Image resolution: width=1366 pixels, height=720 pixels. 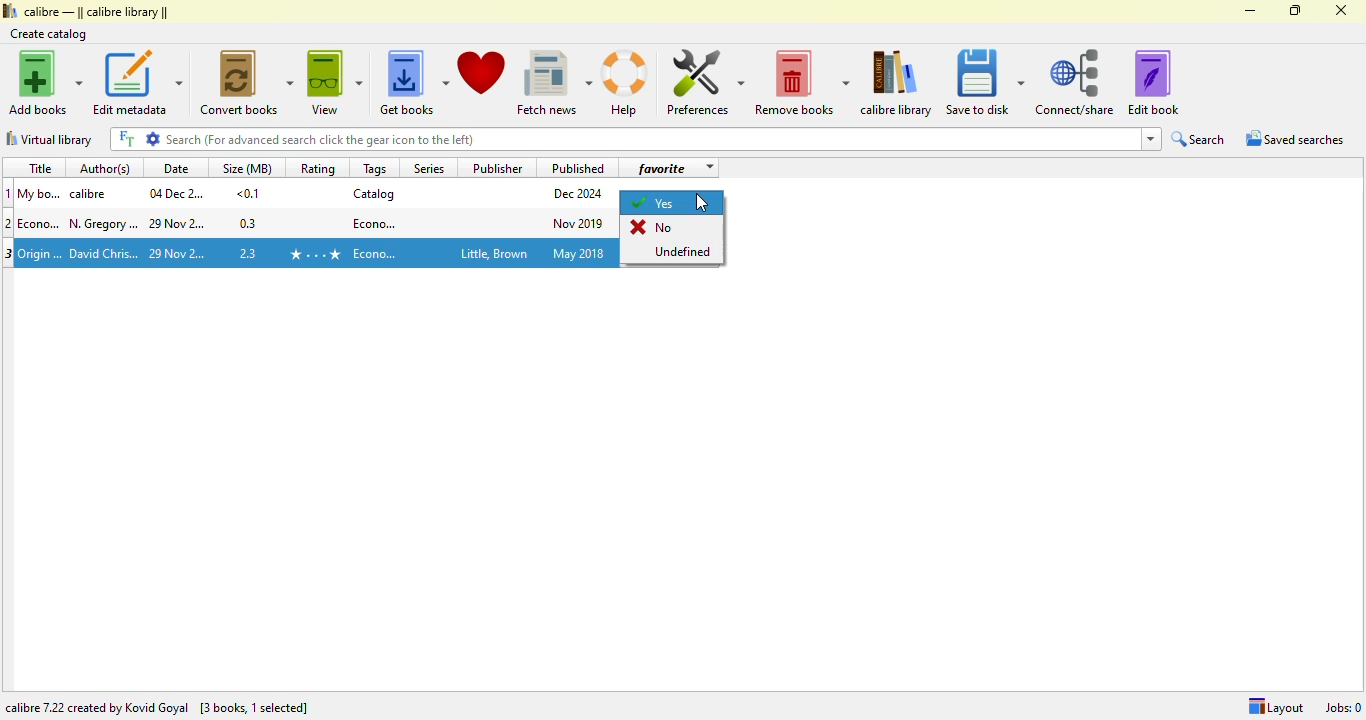 What do you see at coordinates (9, 254) in the screenshot?
I see `3` at bounding box center [9, 254].